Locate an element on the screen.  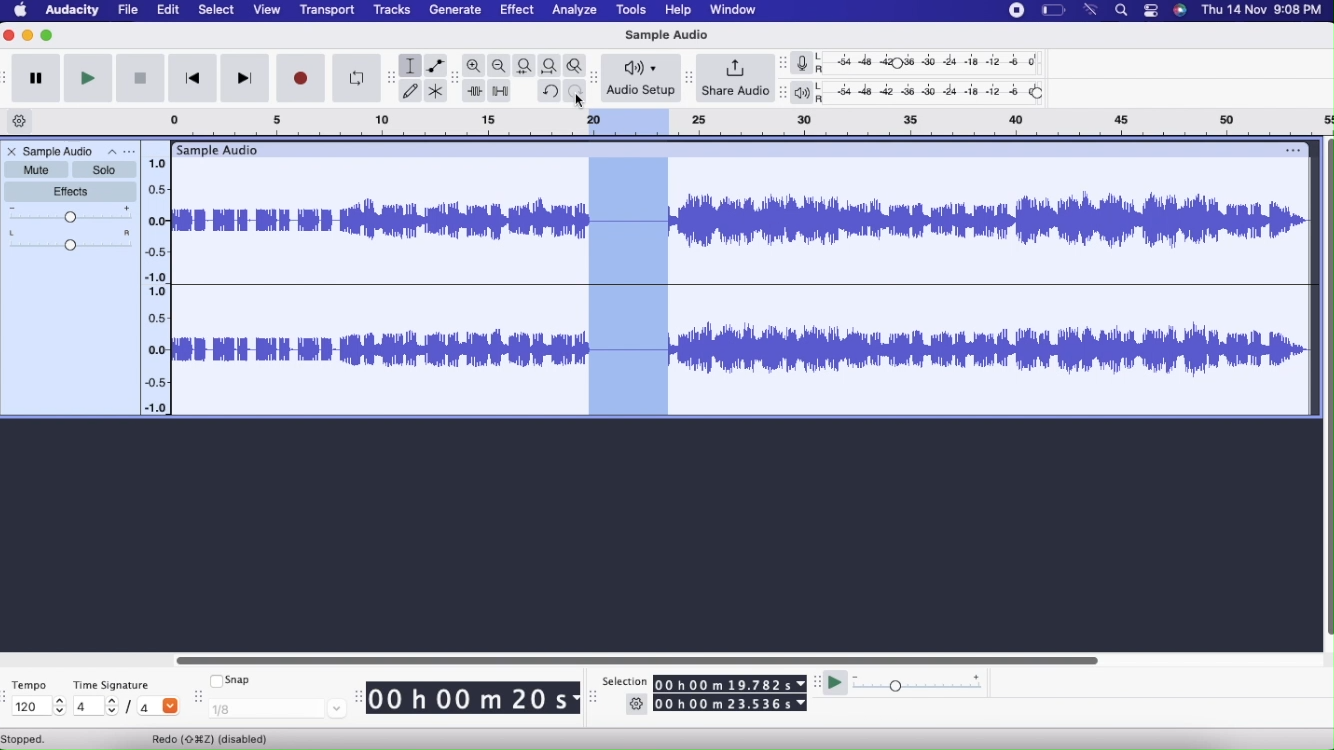
1/8 is located at coordinates (276, 710).